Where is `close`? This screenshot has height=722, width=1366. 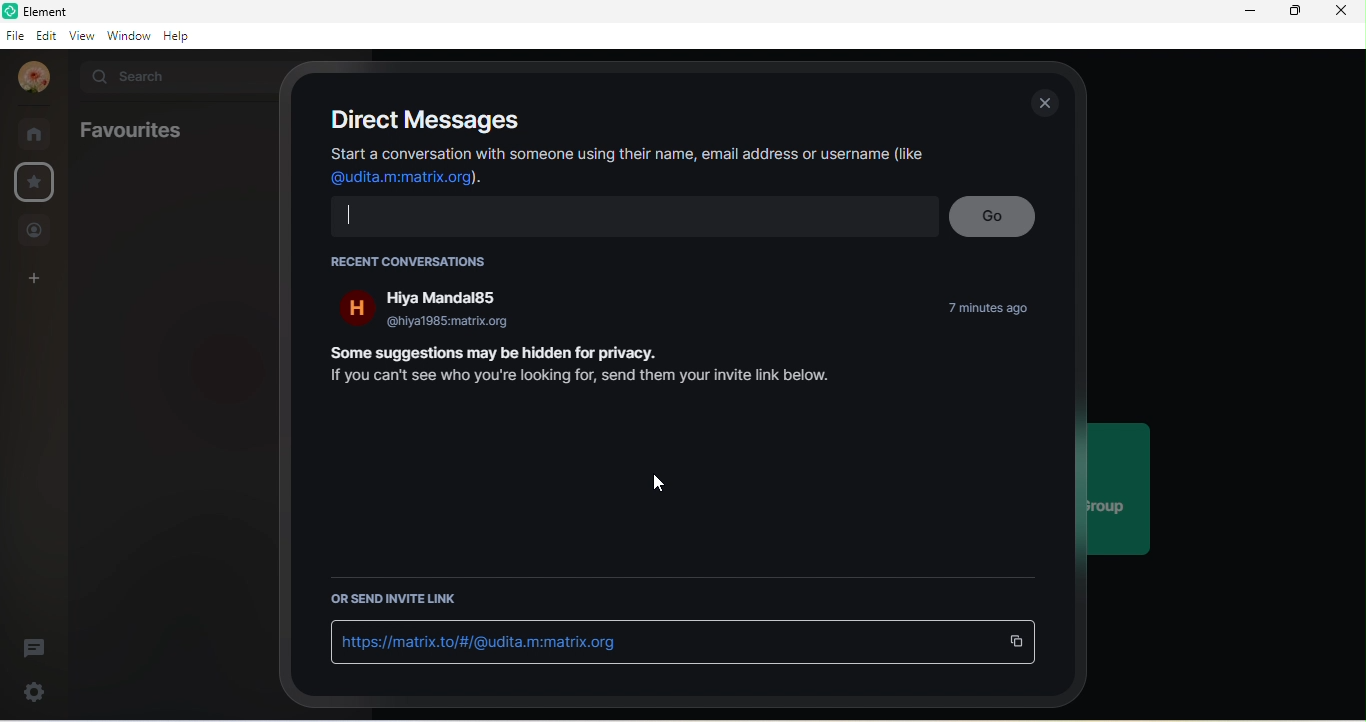 close is located at coordinates (1044, 103).